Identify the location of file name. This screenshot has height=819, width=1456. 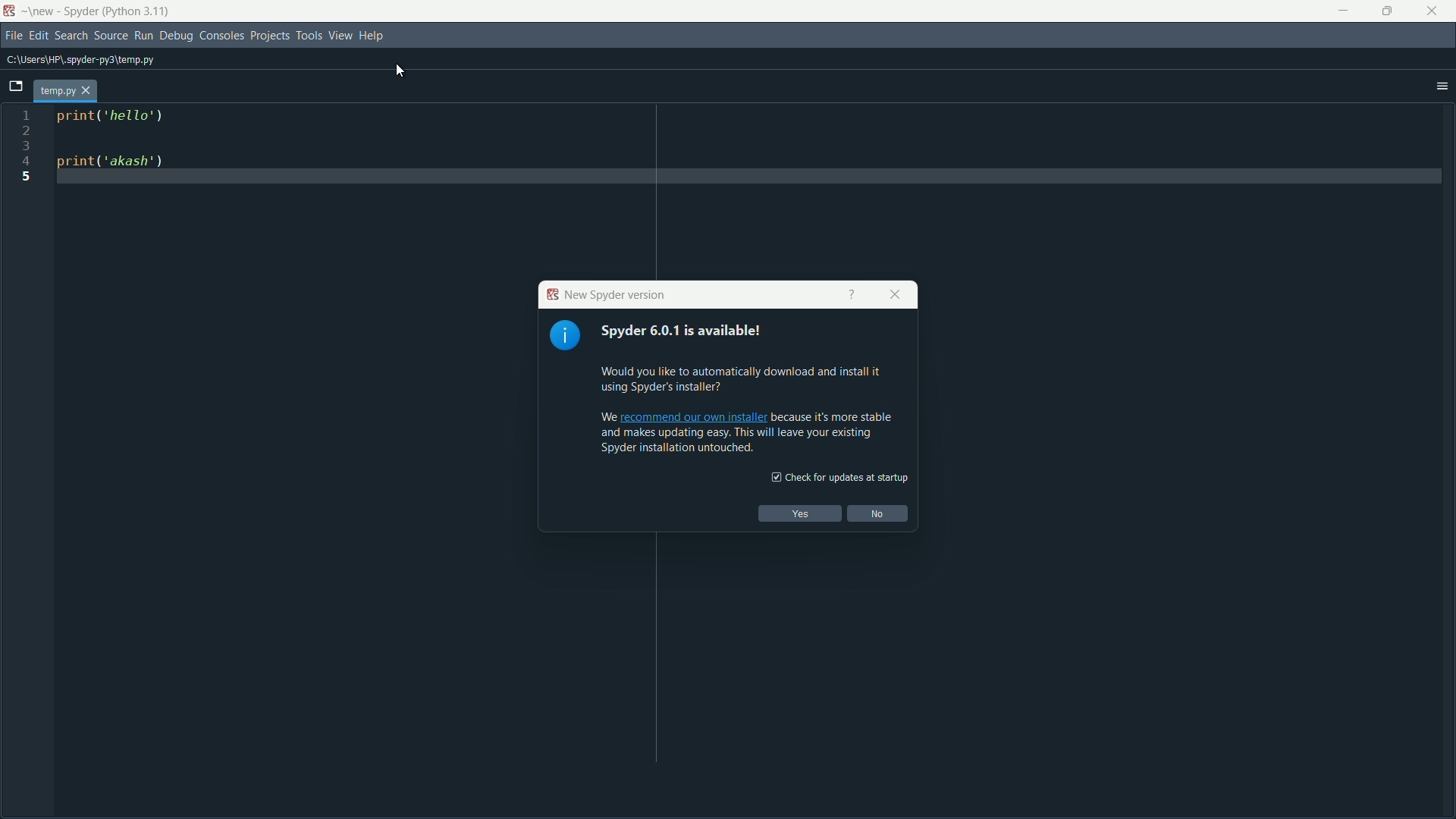
(56, 90).